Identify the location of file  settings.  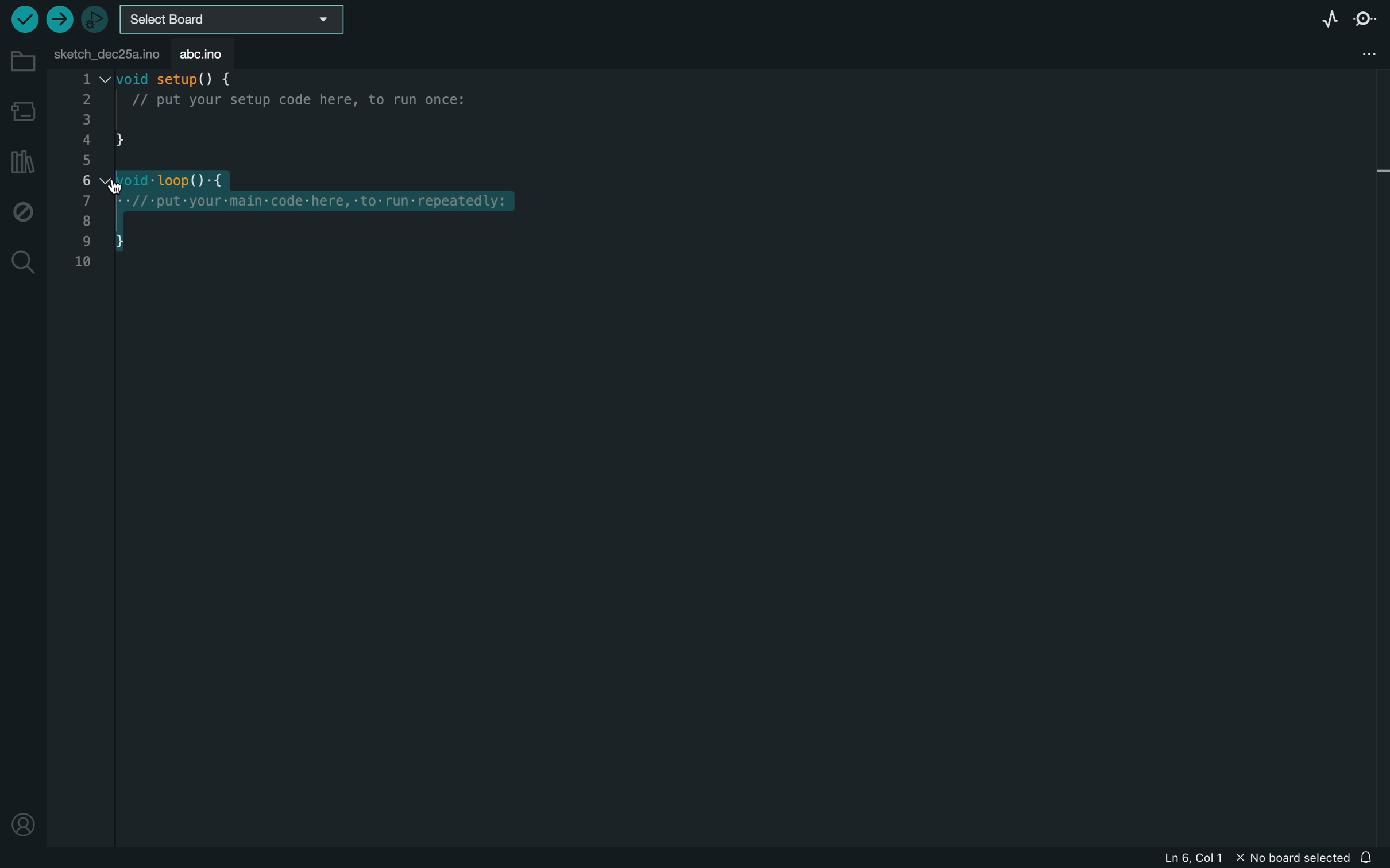
(1358, 54).